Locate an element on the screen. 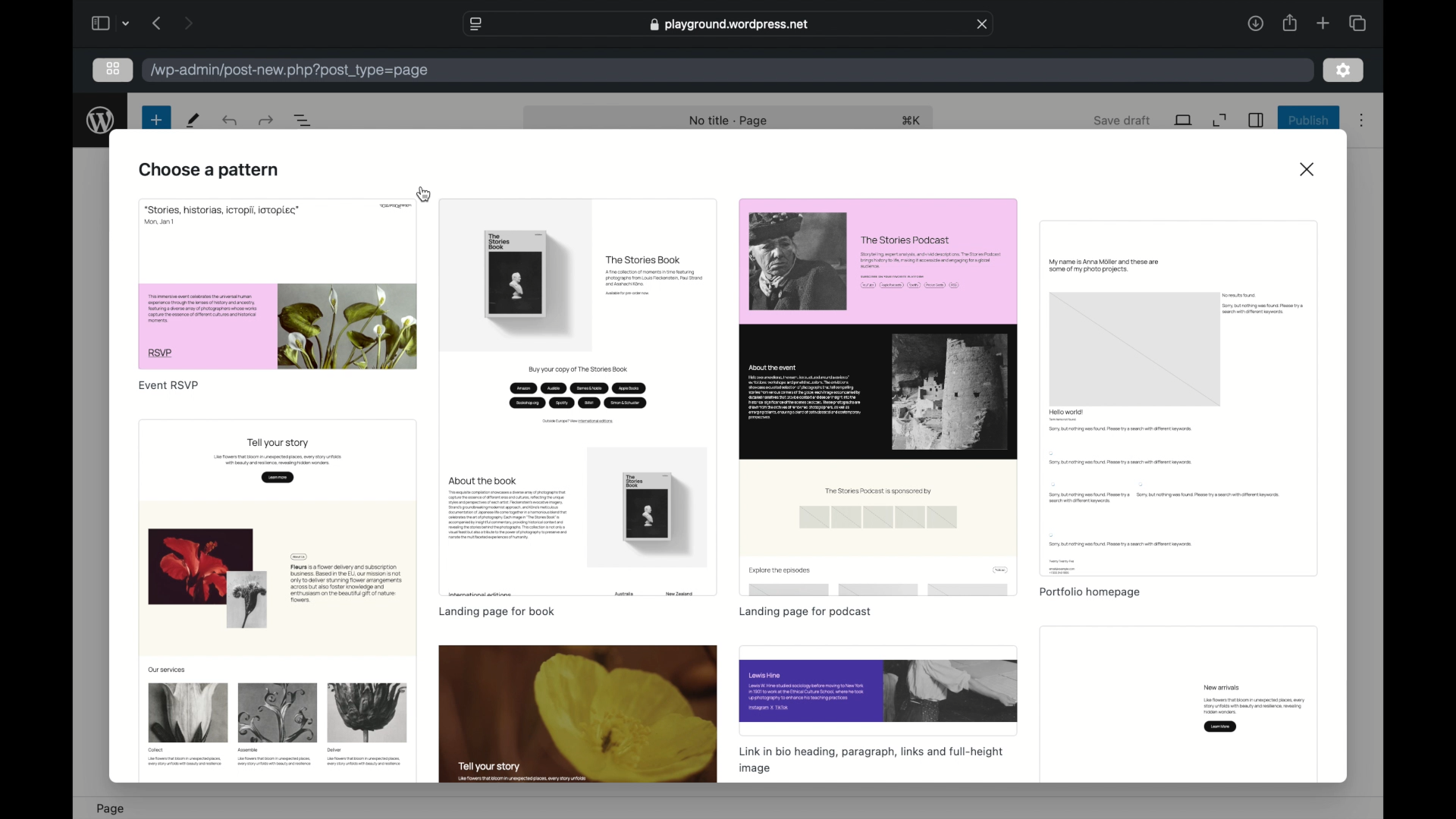 The width and height of the screenshot is (1456, 819). save draft is located at coordinates (1124, 121).